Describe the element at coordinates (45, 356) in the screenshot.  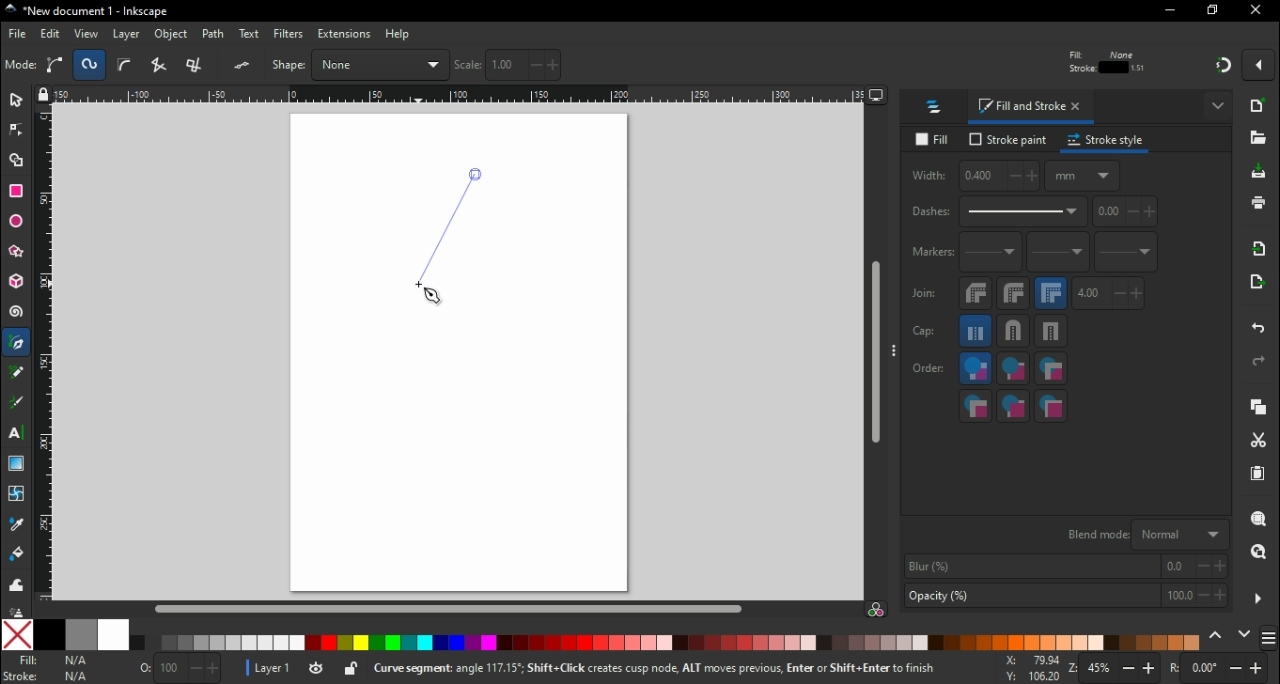
I see `vertical ruler` at that location.